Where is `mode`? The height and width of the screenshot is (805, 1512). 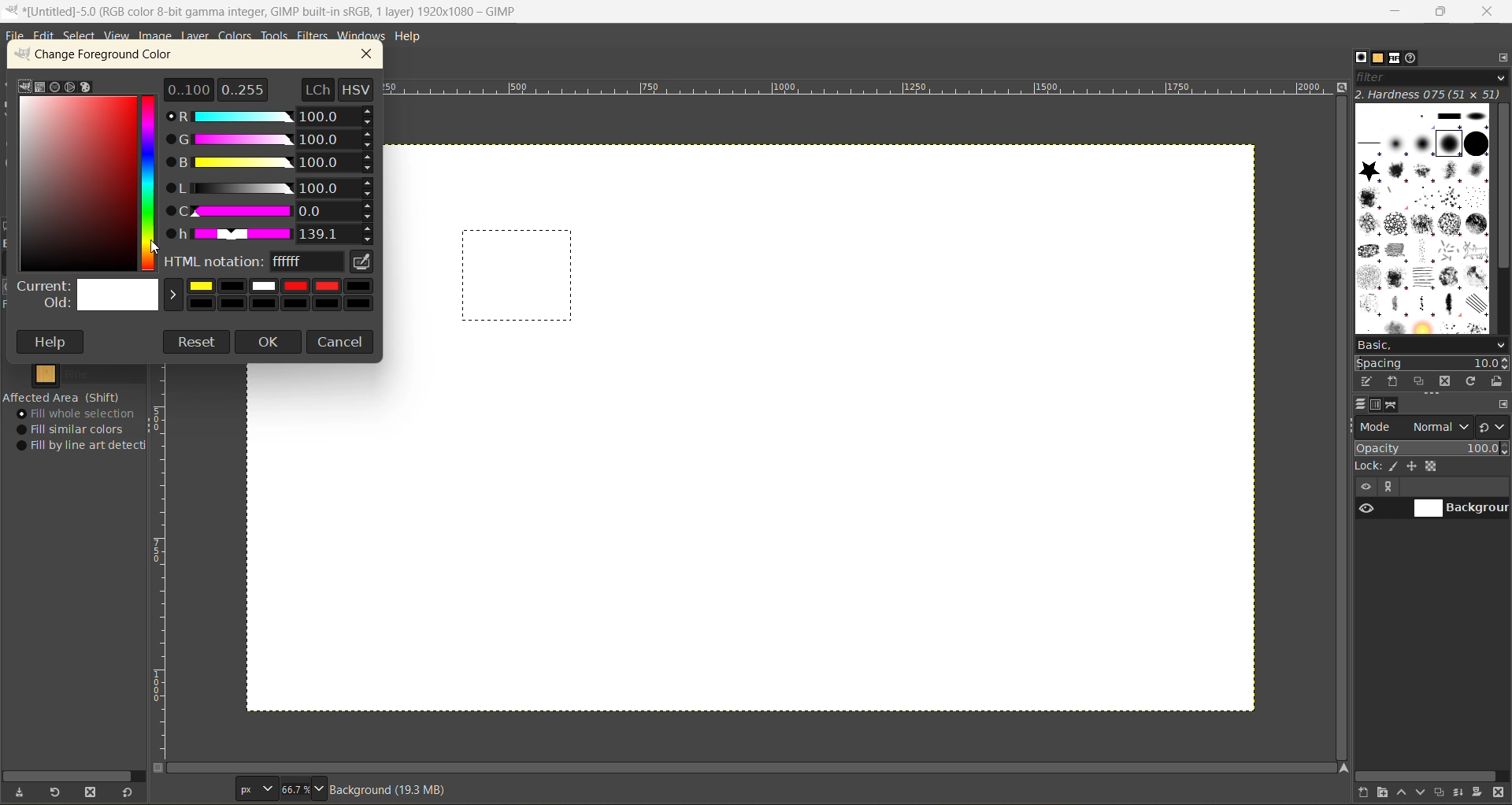 mode is located at coordinates (1415, 427).